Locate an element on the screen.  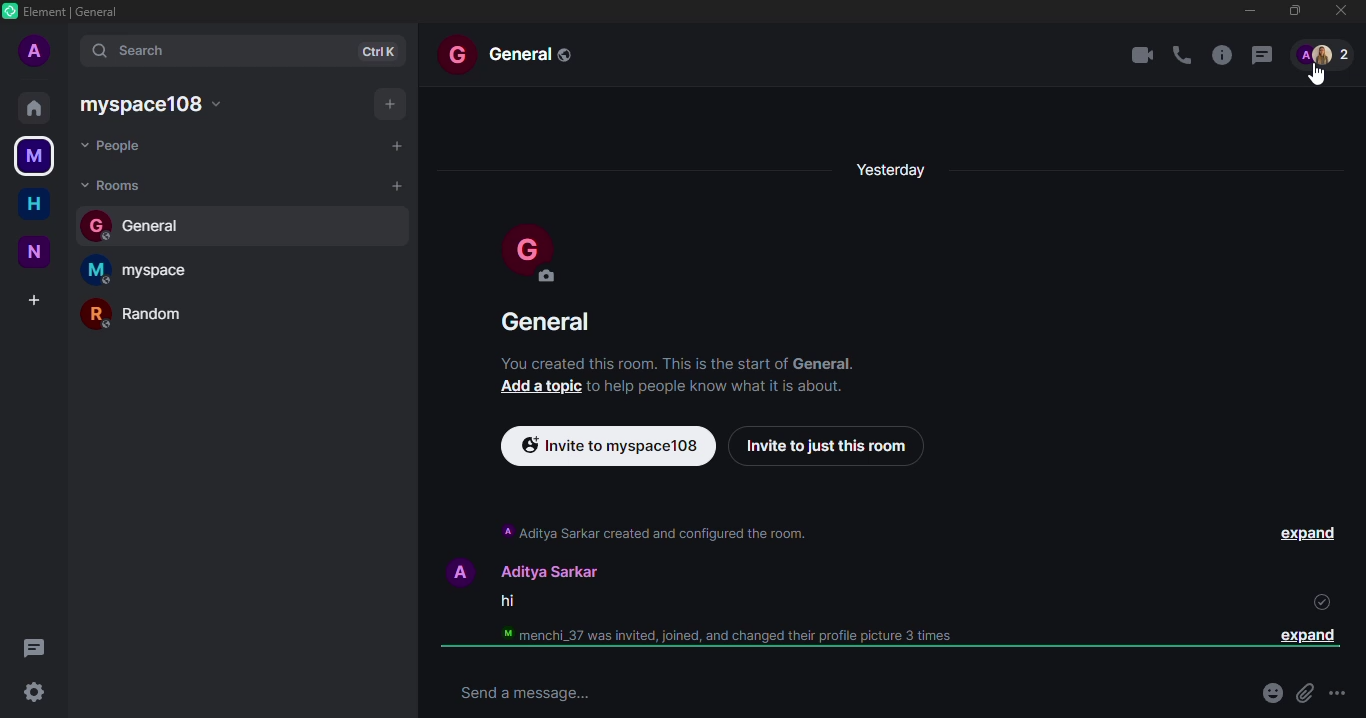
send a message... is located at coordinates (519, 692).